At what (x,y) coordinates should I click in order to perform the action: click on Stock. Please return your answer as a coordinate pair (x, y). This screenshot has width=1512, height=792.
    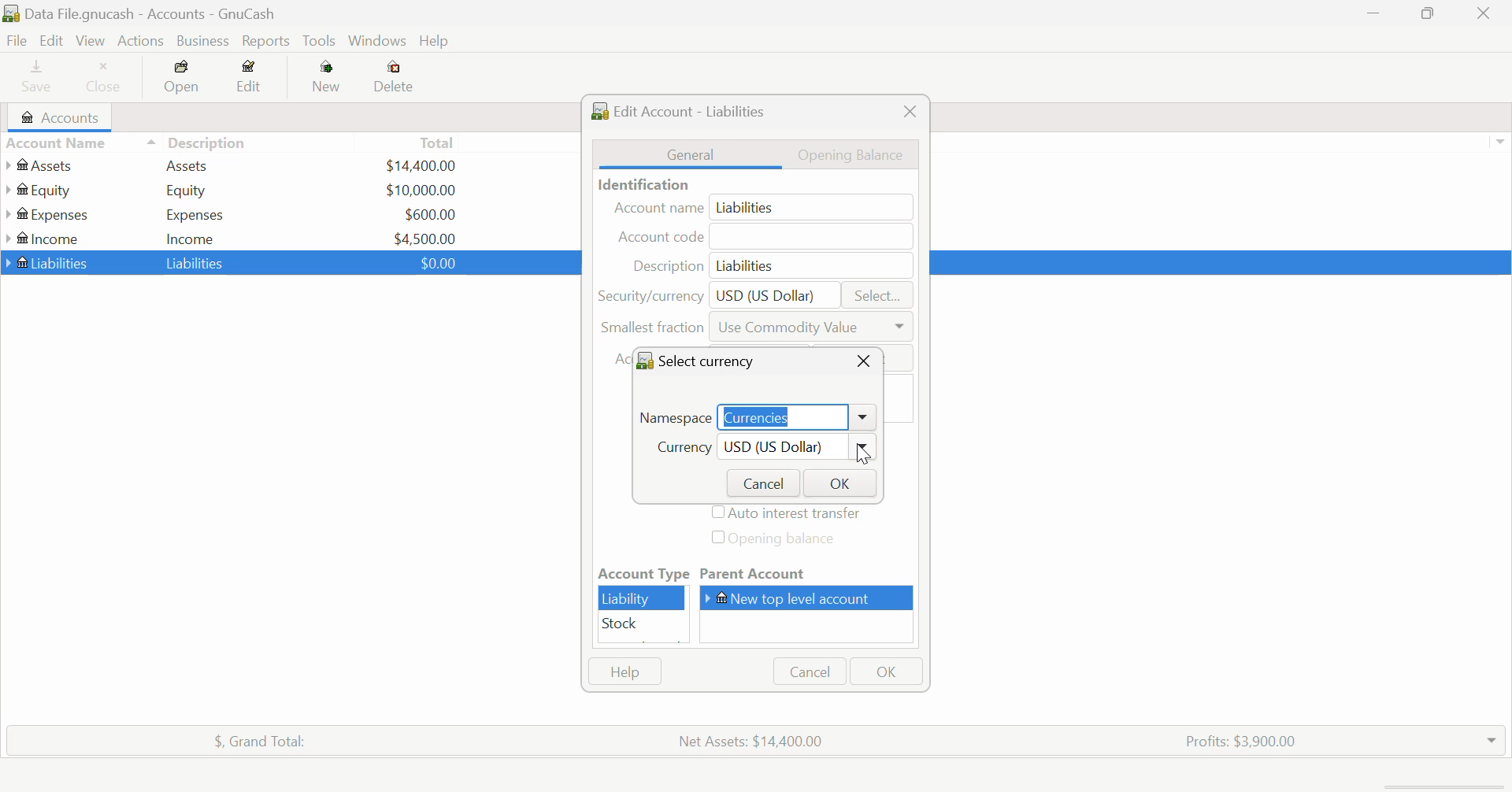
    Looking at the image, I should click on (643, 624).